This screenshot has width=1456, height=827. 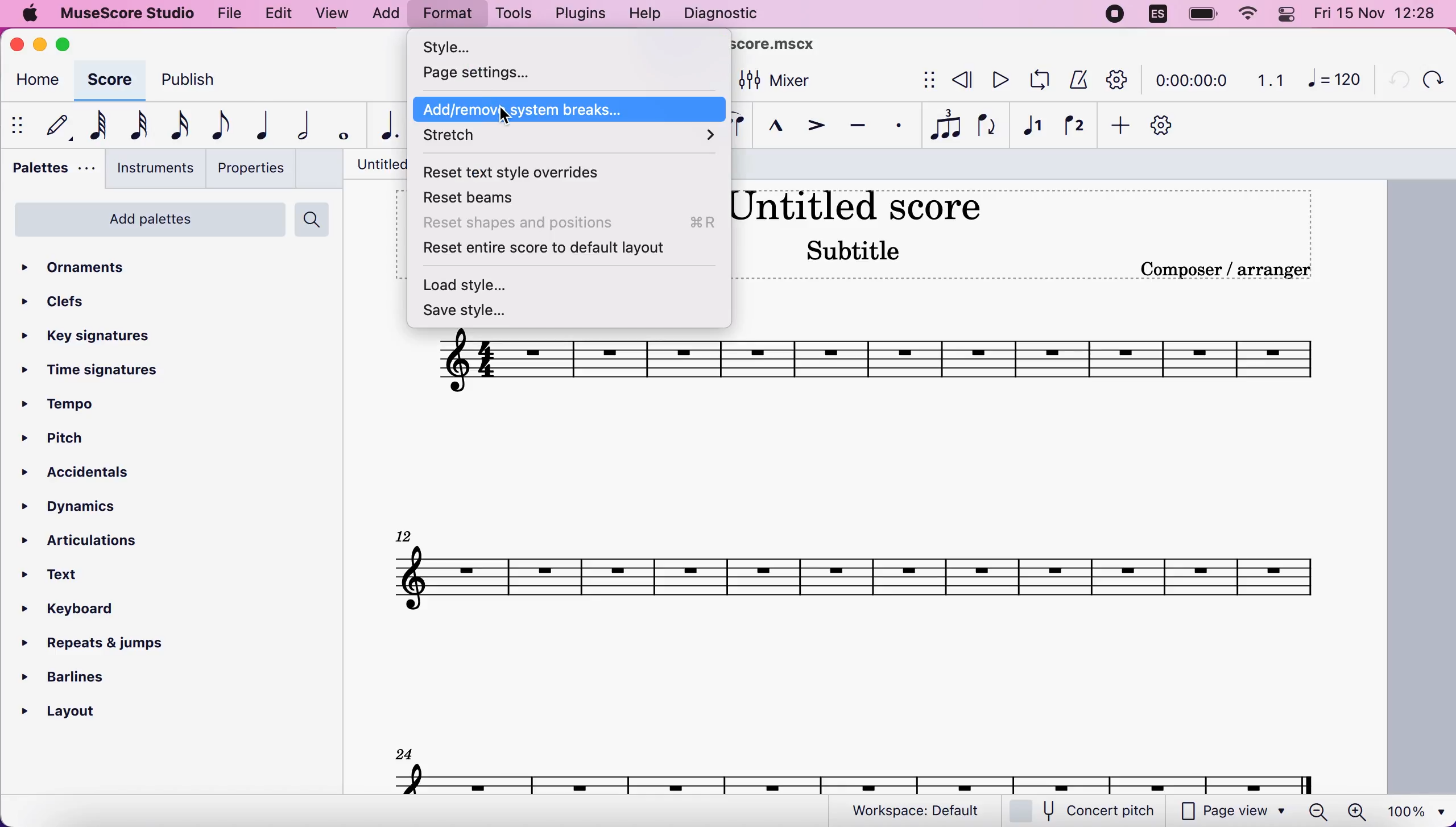 I want to click on maximize, so click(x=67, y=44).